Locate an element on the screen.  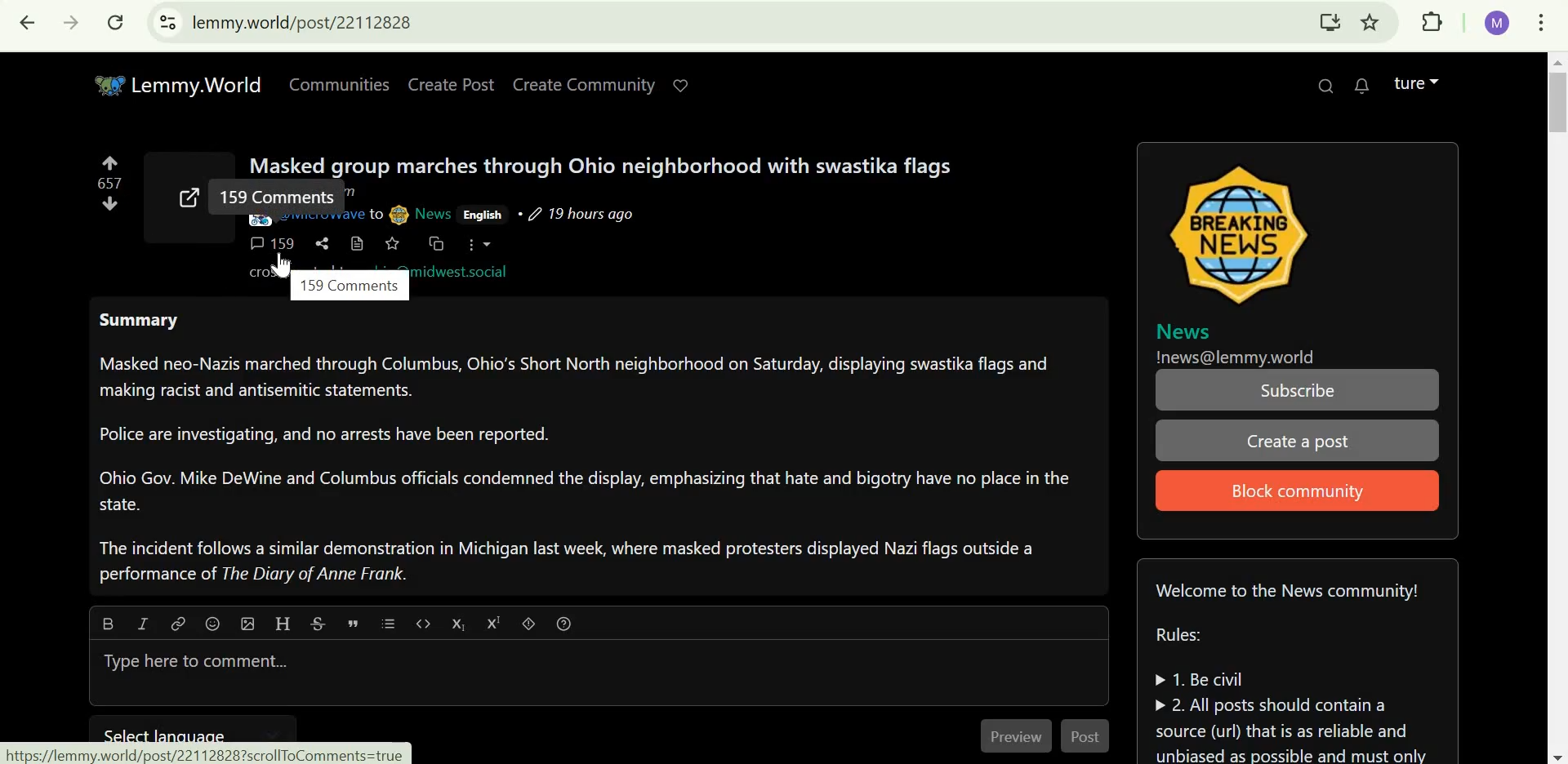
customize and control google chrome is located at coordinates (1548, 23).